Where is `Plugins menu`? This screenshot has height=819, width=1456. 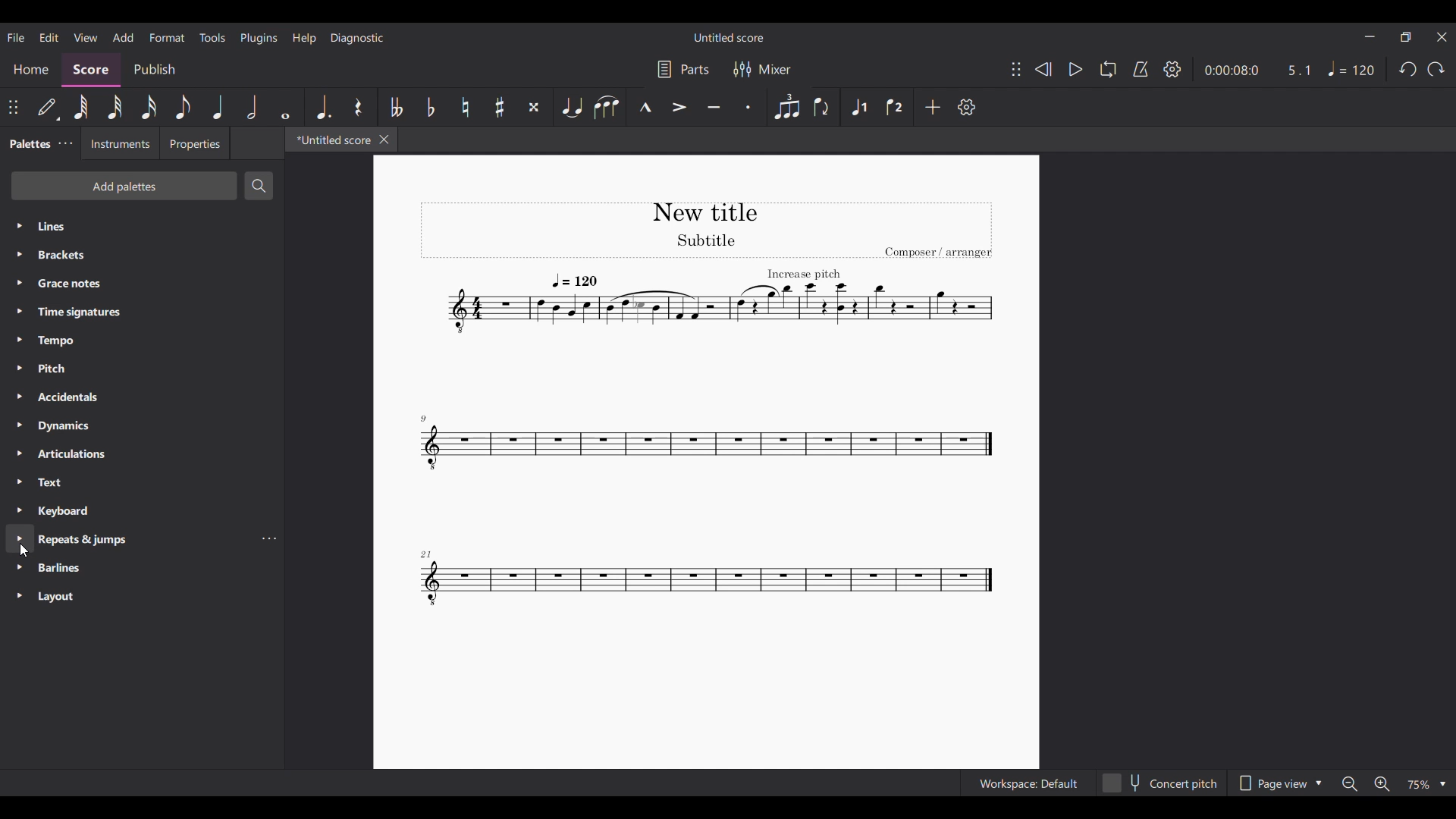
Plugins menu is located at coordinates (259, 38).